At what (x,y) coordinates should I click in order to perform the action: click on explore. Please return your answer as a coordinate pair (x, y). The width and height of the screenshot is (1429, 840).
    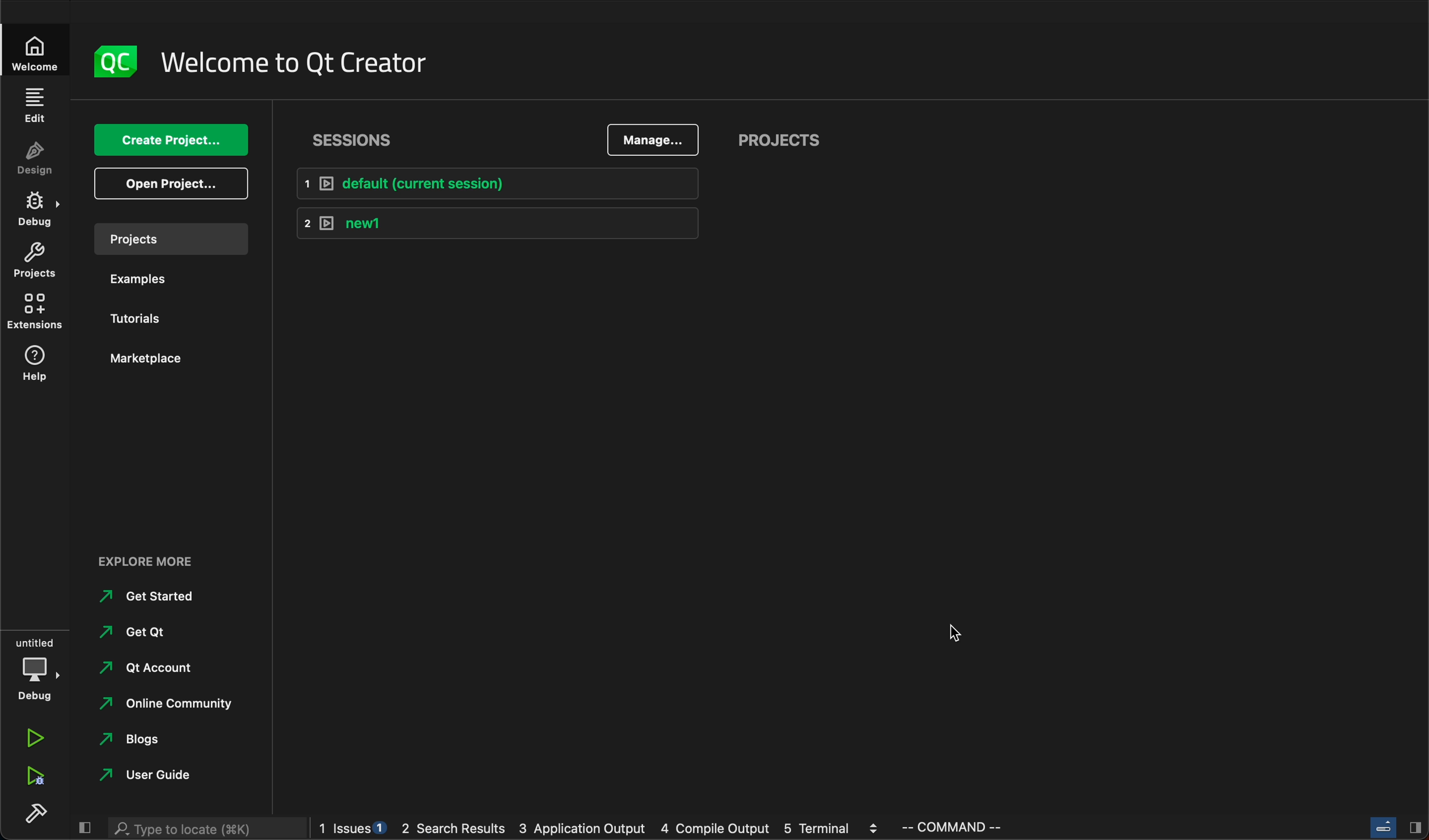
    Looking at the image, I should click on (160, 564).